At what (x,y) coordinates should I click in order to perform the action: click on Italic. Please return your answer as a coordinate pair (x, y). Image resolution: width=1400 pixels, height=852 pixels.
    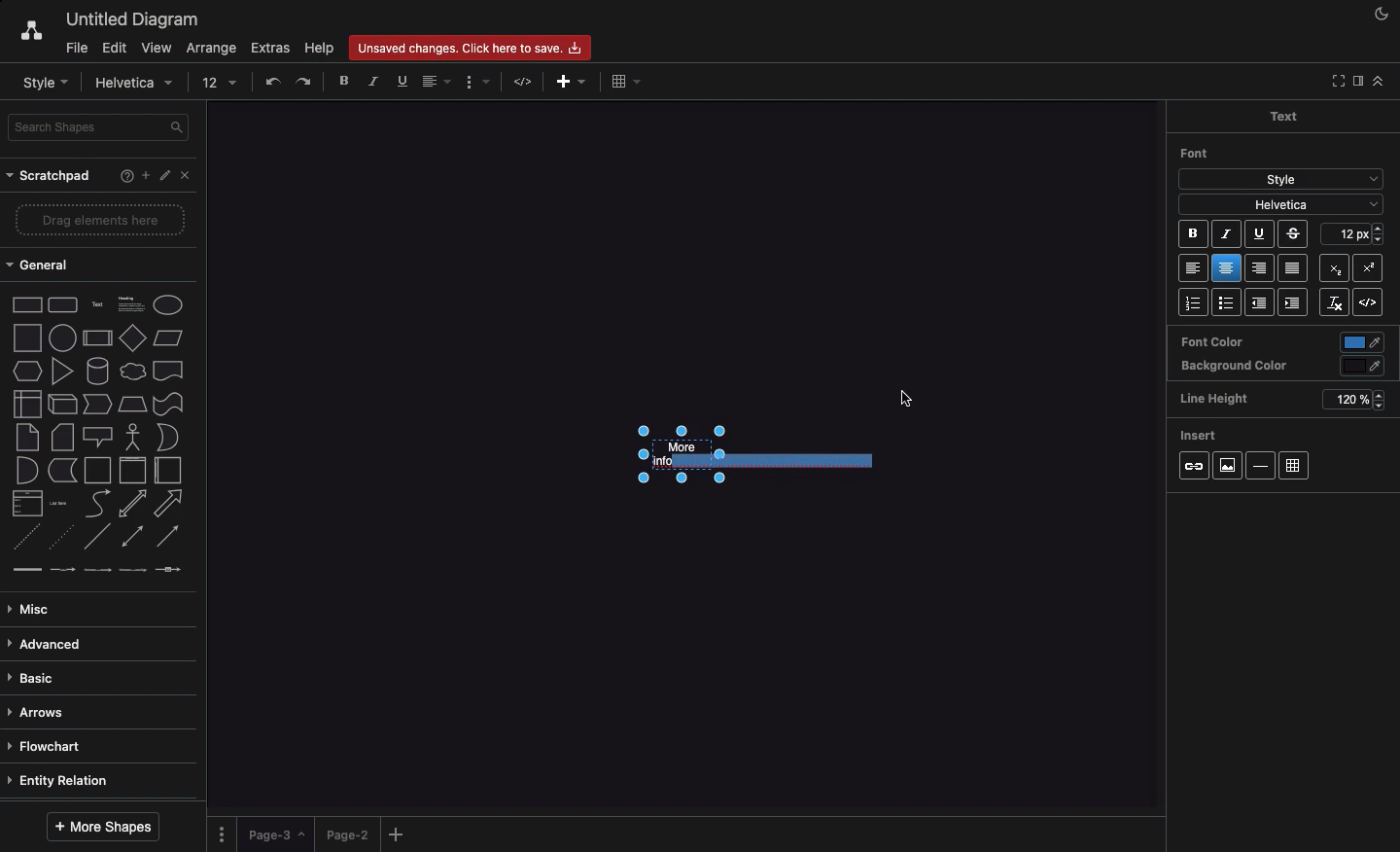
    Looking at the image, I should click on (1226, 234).